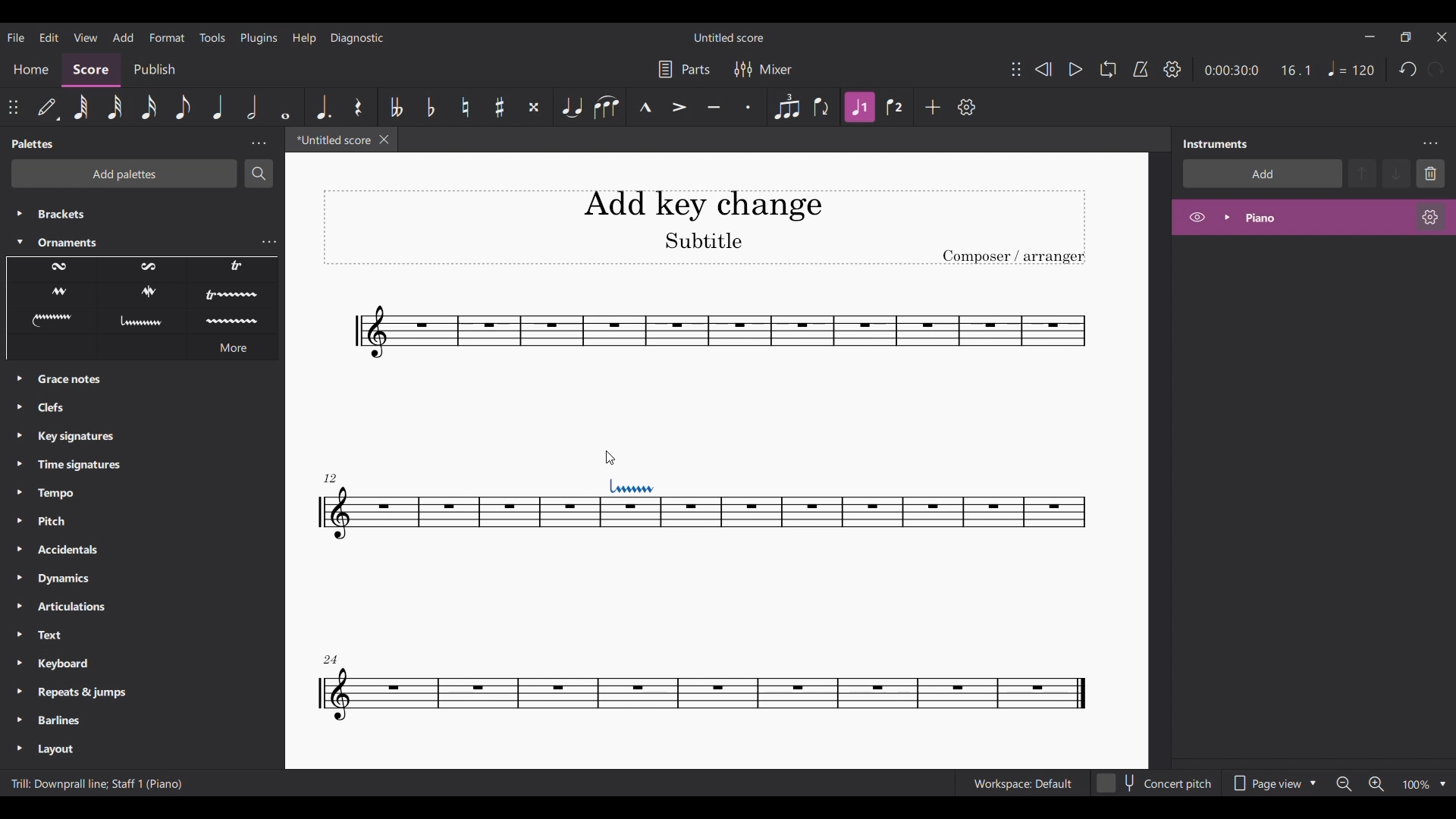 The width and height of the screenshot is (1456, 819). What do you see at coordinates (678, 107) in the screenshot?
I see `Accent ` at bounding box center [678, 107].